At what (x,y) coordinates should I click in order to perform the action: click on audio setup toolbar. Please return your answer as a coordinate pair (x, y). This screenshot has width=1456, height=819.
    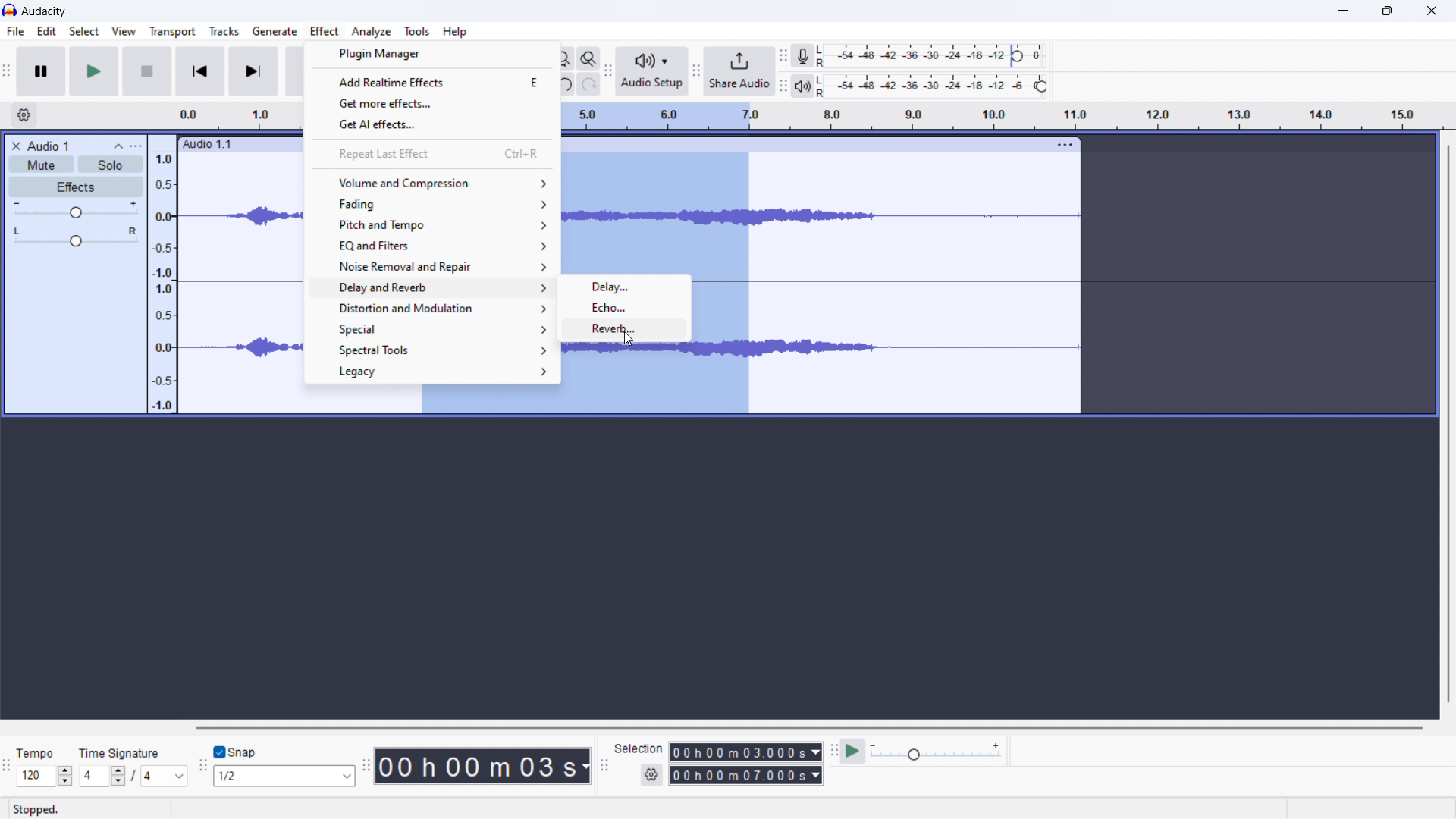
    Looking at the image, I should click on (608, 71).